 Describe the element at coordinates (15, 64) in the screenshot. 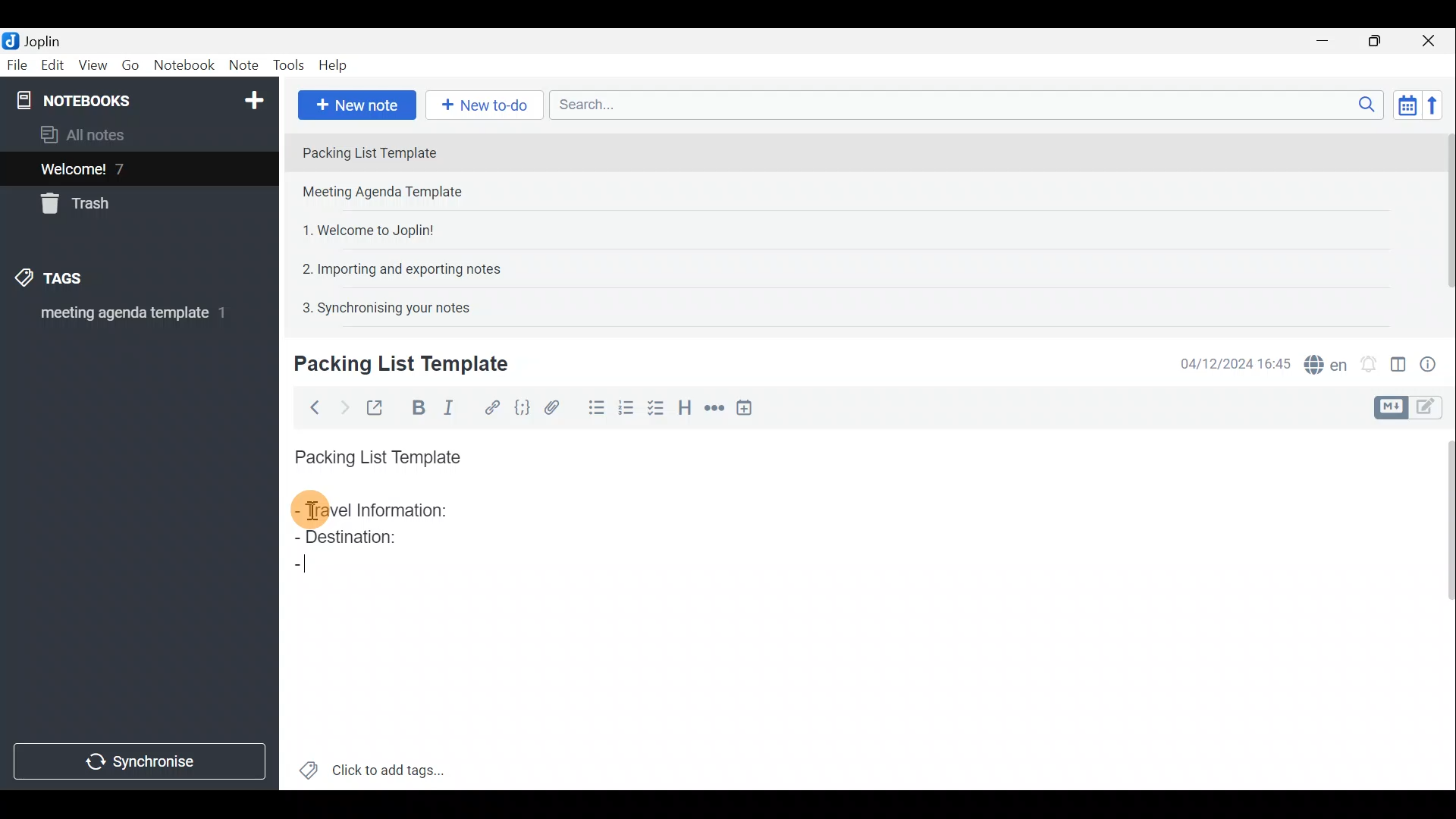

I see `File` at that location.